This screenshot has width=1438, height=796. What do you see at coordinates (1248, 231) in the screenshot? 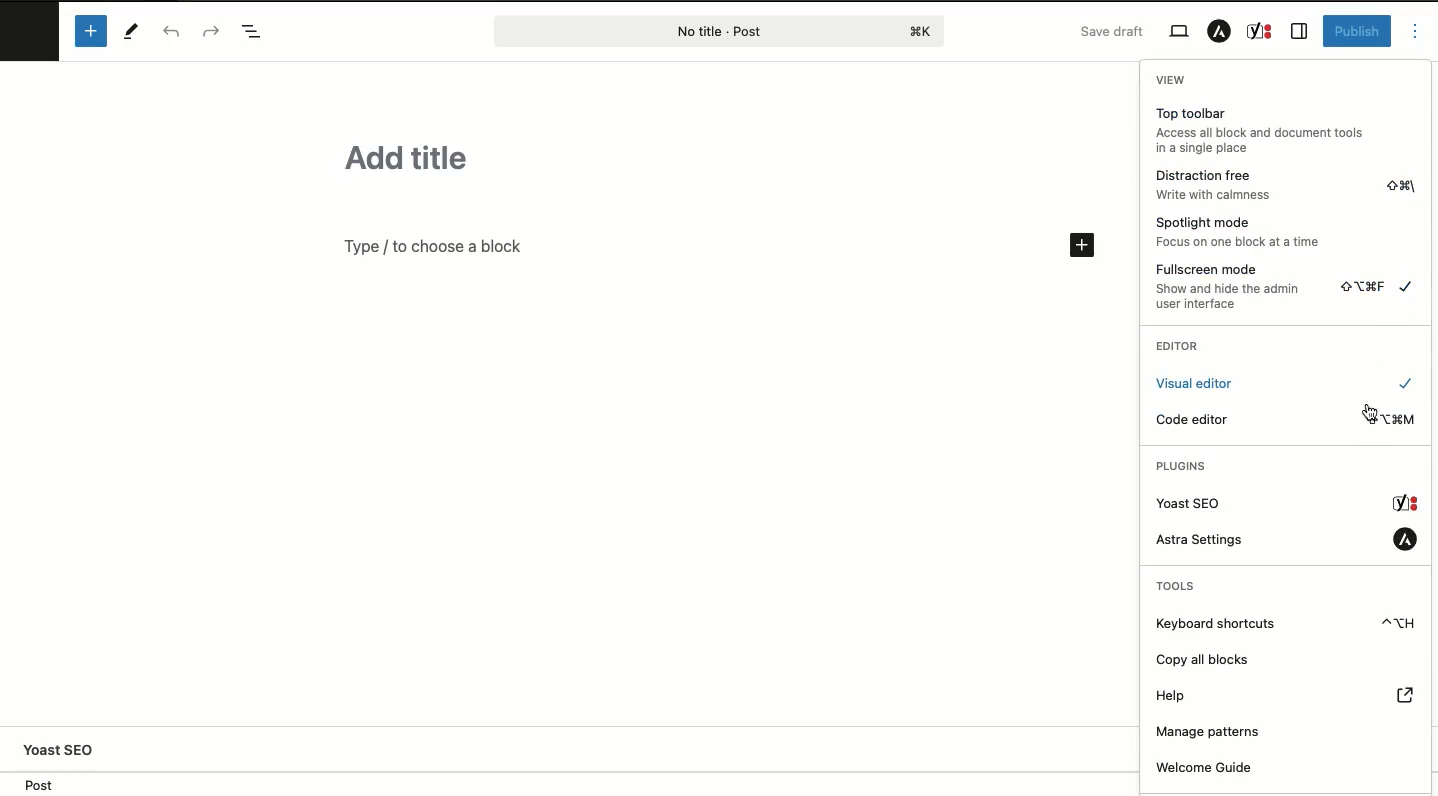
I see `Spotlight mode` at bounding box center [1248, 231].